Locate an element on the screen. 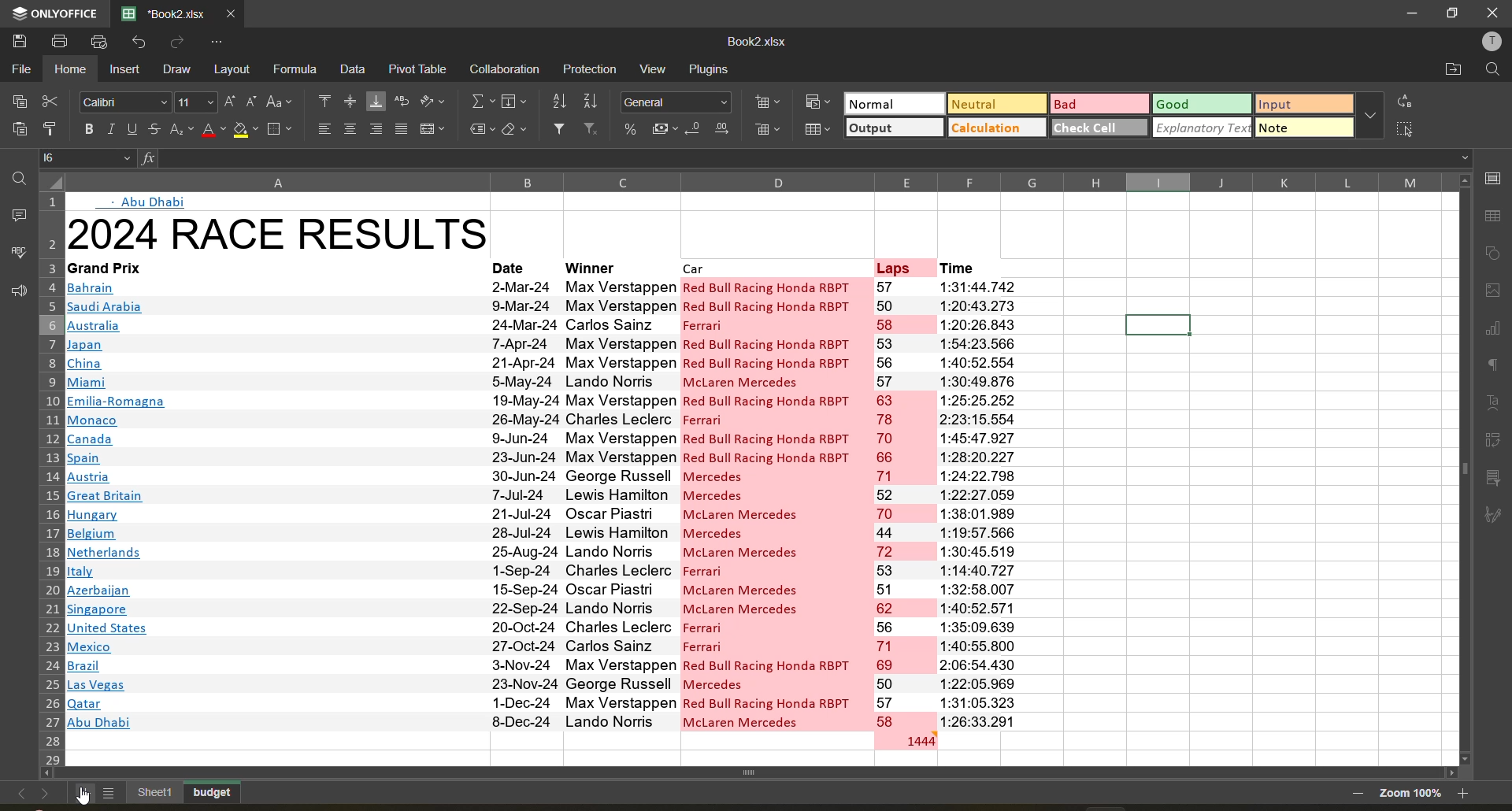 Image resolution: width=1512 pixels, height=811 pixels. cut is located at coordinates (50, 102).